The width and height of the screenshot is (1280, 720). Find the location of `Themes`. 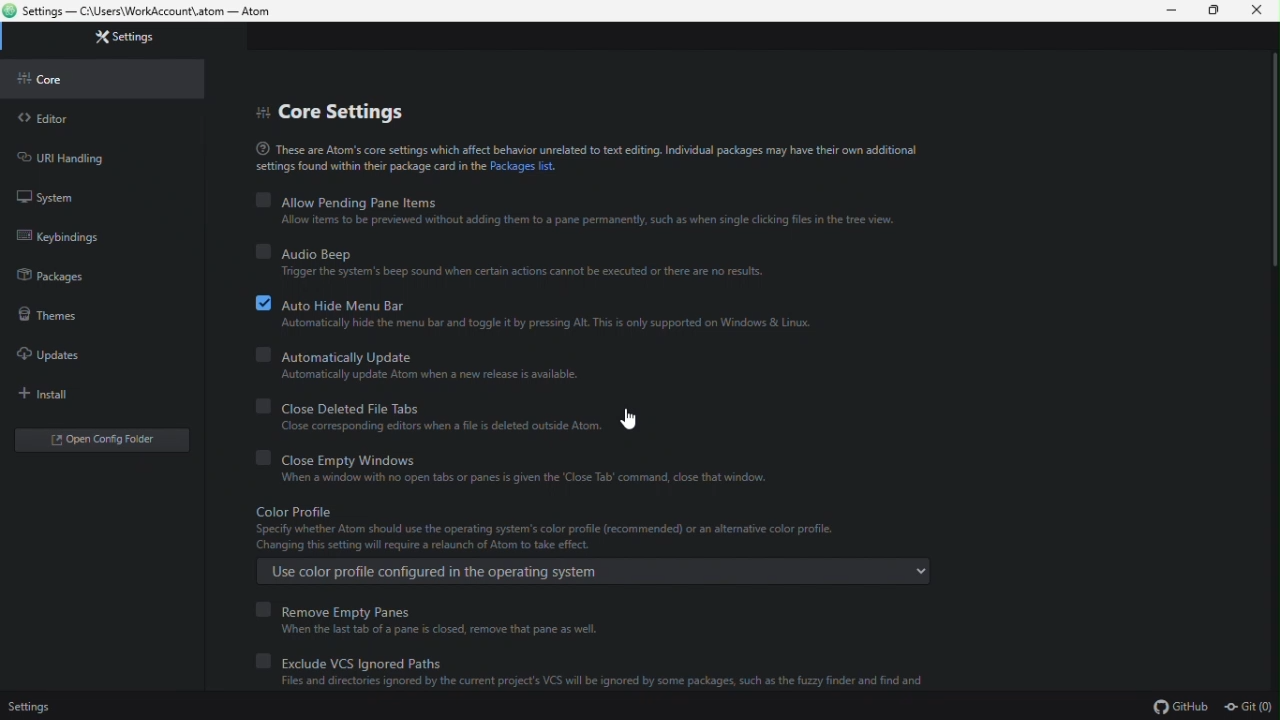

Themes is located at coordinates (90, 312).